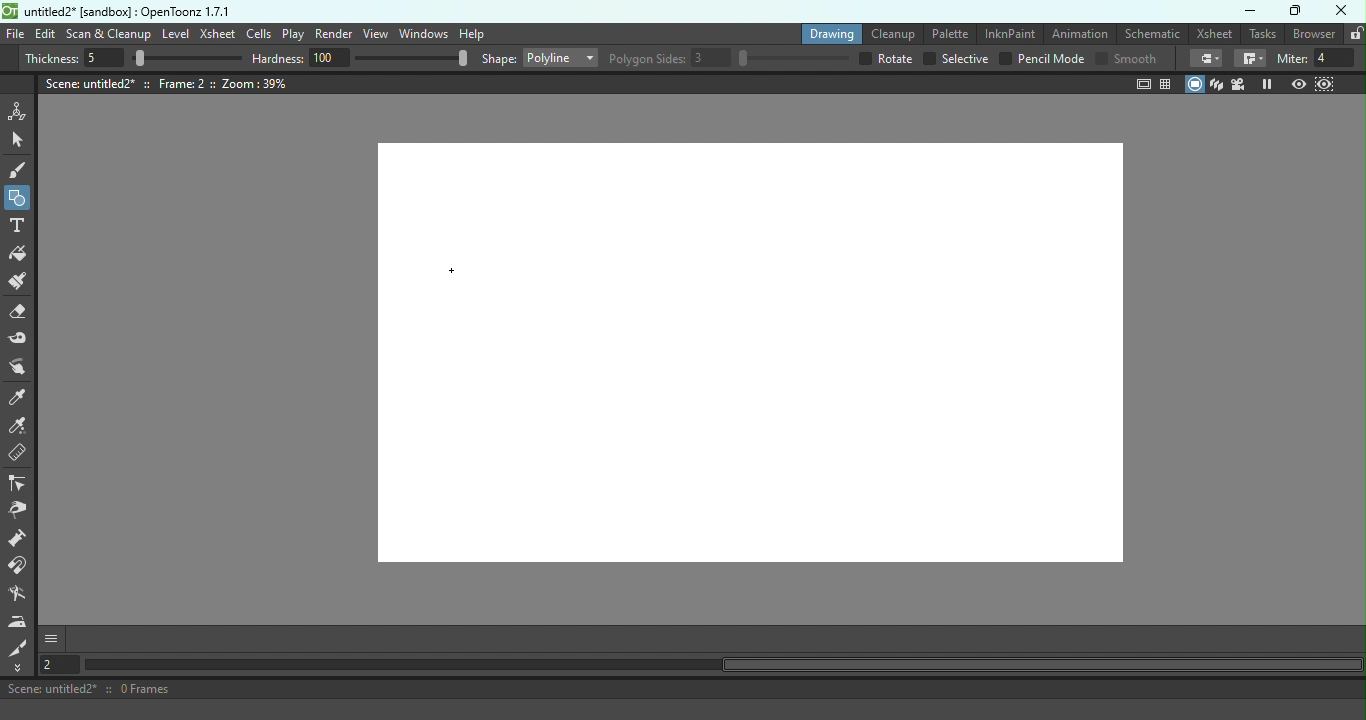 The height and width of the screenshot is (720, 1366). I want to click on Help, so click(471, 33).